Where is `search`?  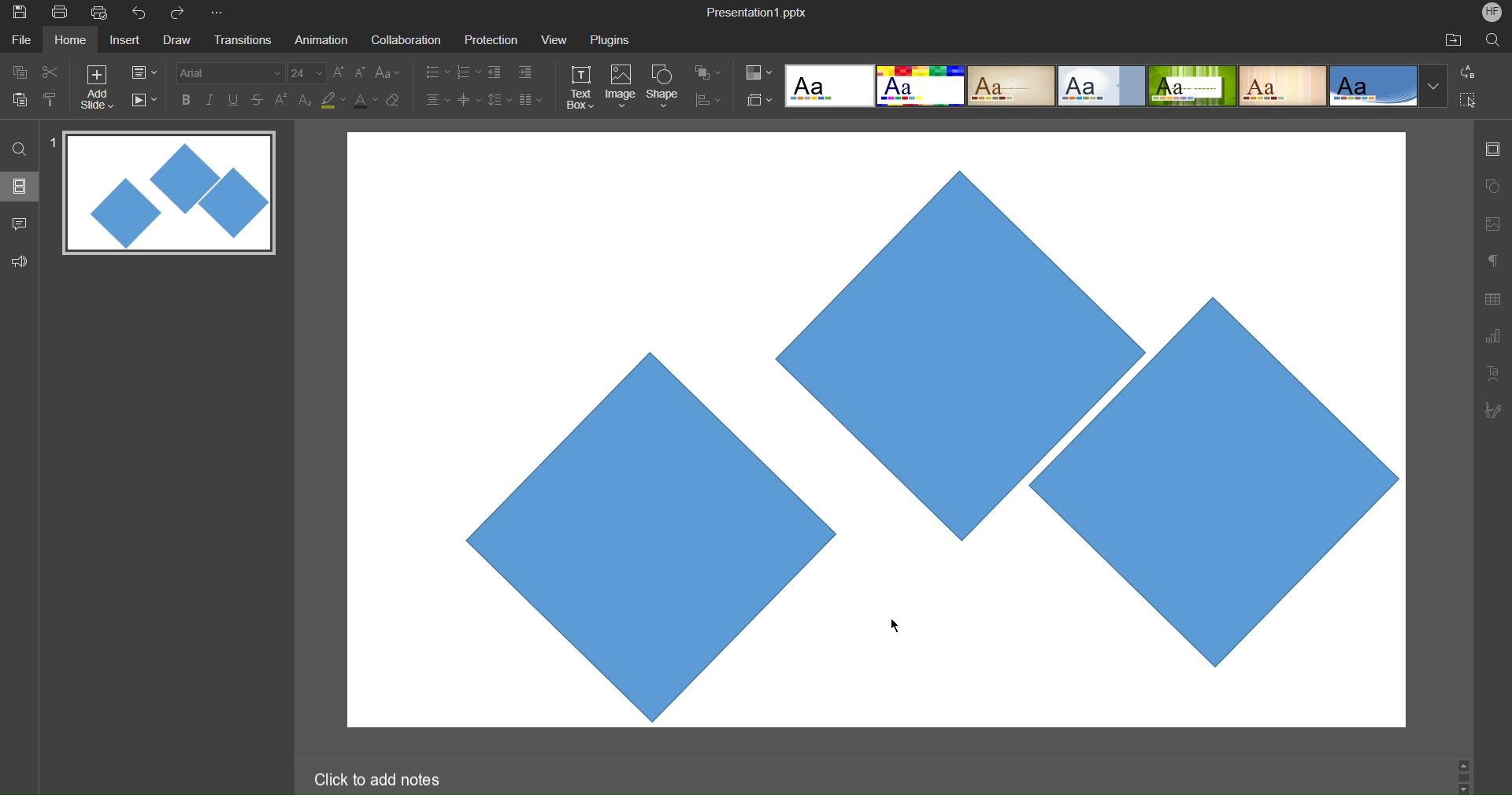
search is located at coordinates (1495, 39).